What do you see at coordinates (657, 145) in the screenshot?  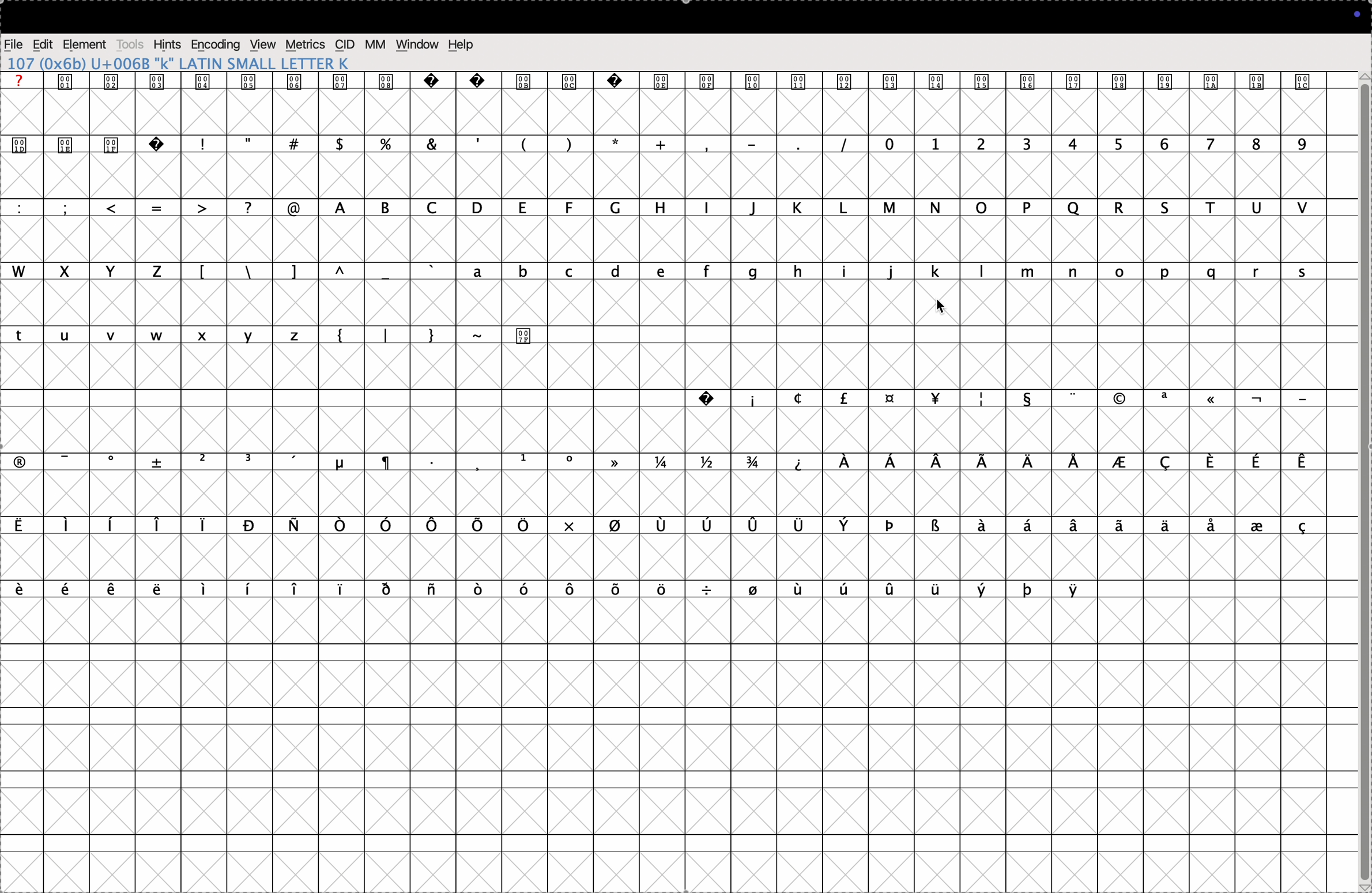 I see `+` at bounding box center [657, 145].